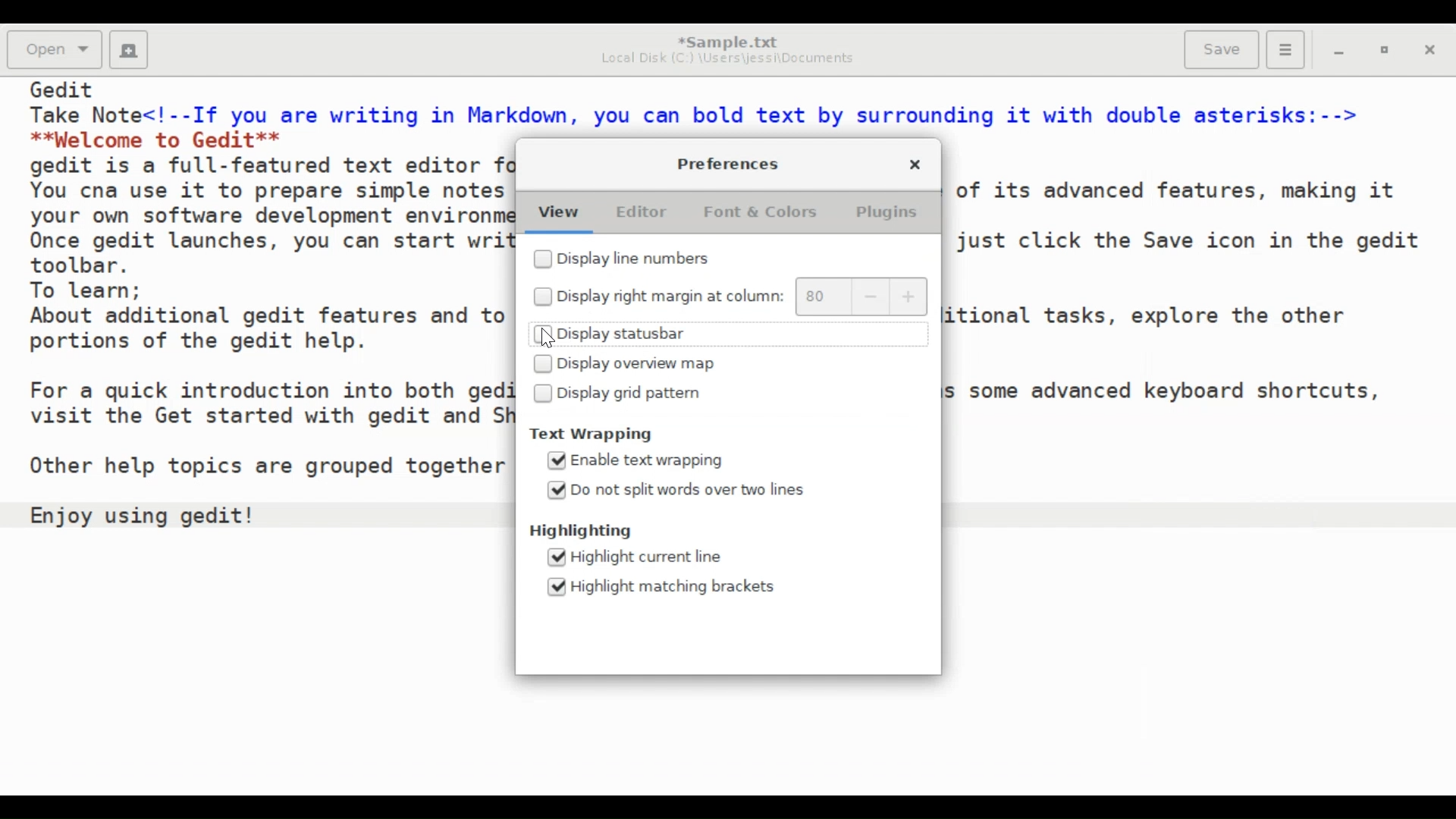 Image resolution: width=1456 pixels, height=819 pixels. I want to click on Preferences, so click(726, 166).